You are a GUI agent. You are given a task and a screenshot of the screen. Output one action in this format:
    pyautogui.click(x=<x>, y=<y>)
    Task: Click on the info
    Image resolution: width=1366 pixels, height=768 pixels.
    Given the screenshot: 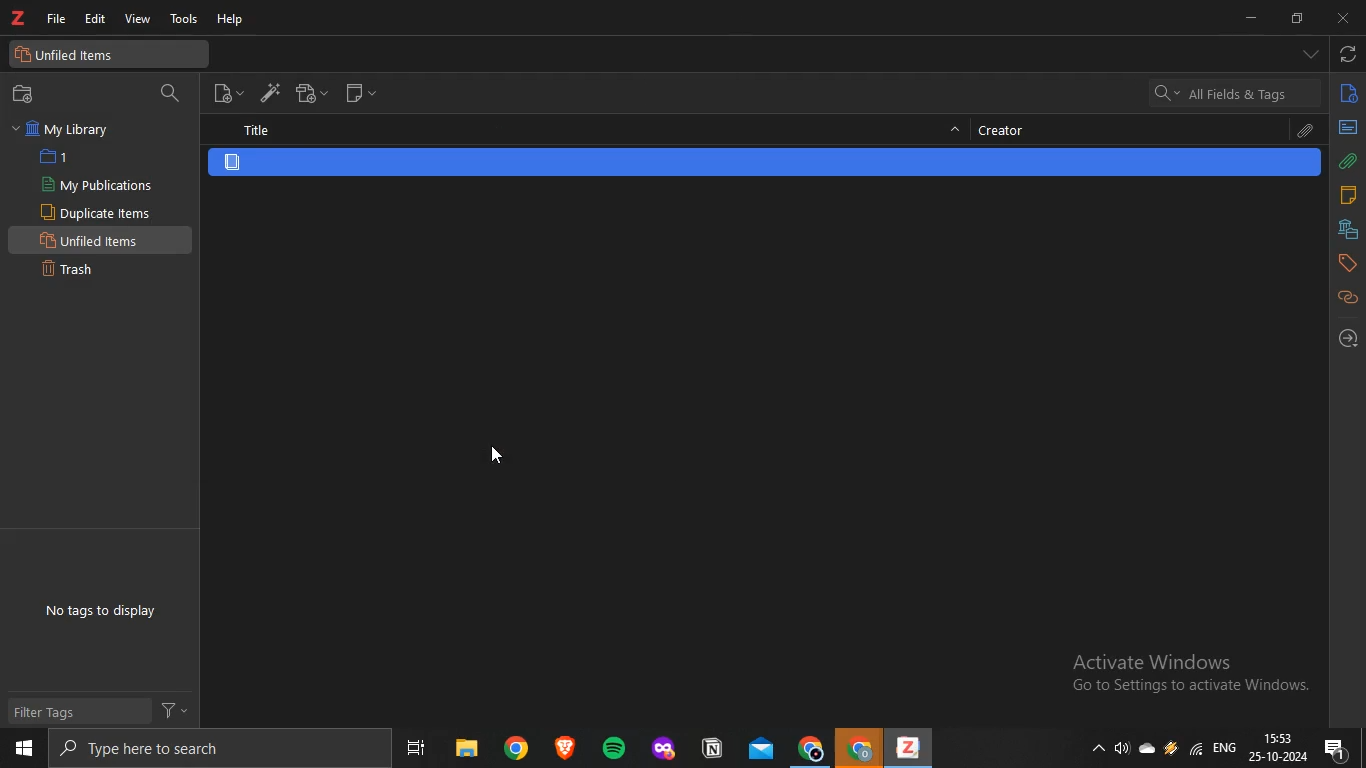 What is the action you would take?
    pyautogui.click(x=1349, y=97)
    